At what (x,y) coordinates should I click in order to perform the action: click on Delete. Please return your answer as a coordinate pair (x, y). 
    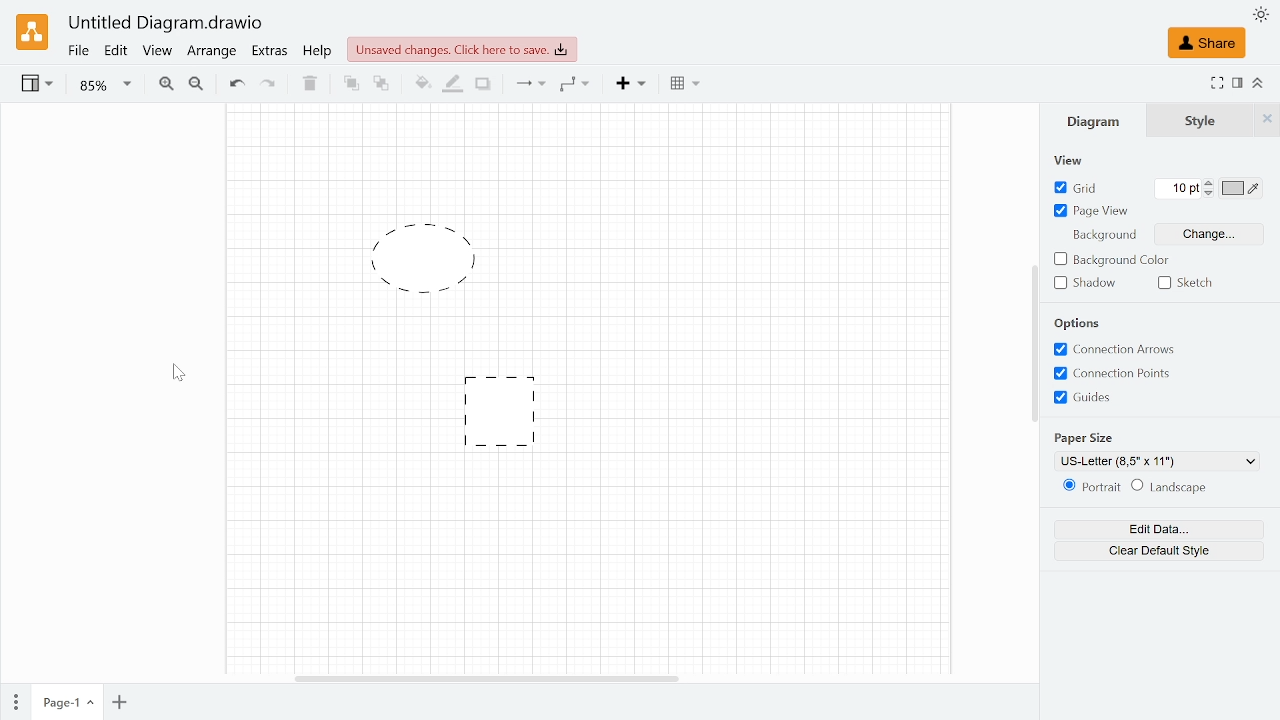
    Looking at the image, I should click on (307, 84).